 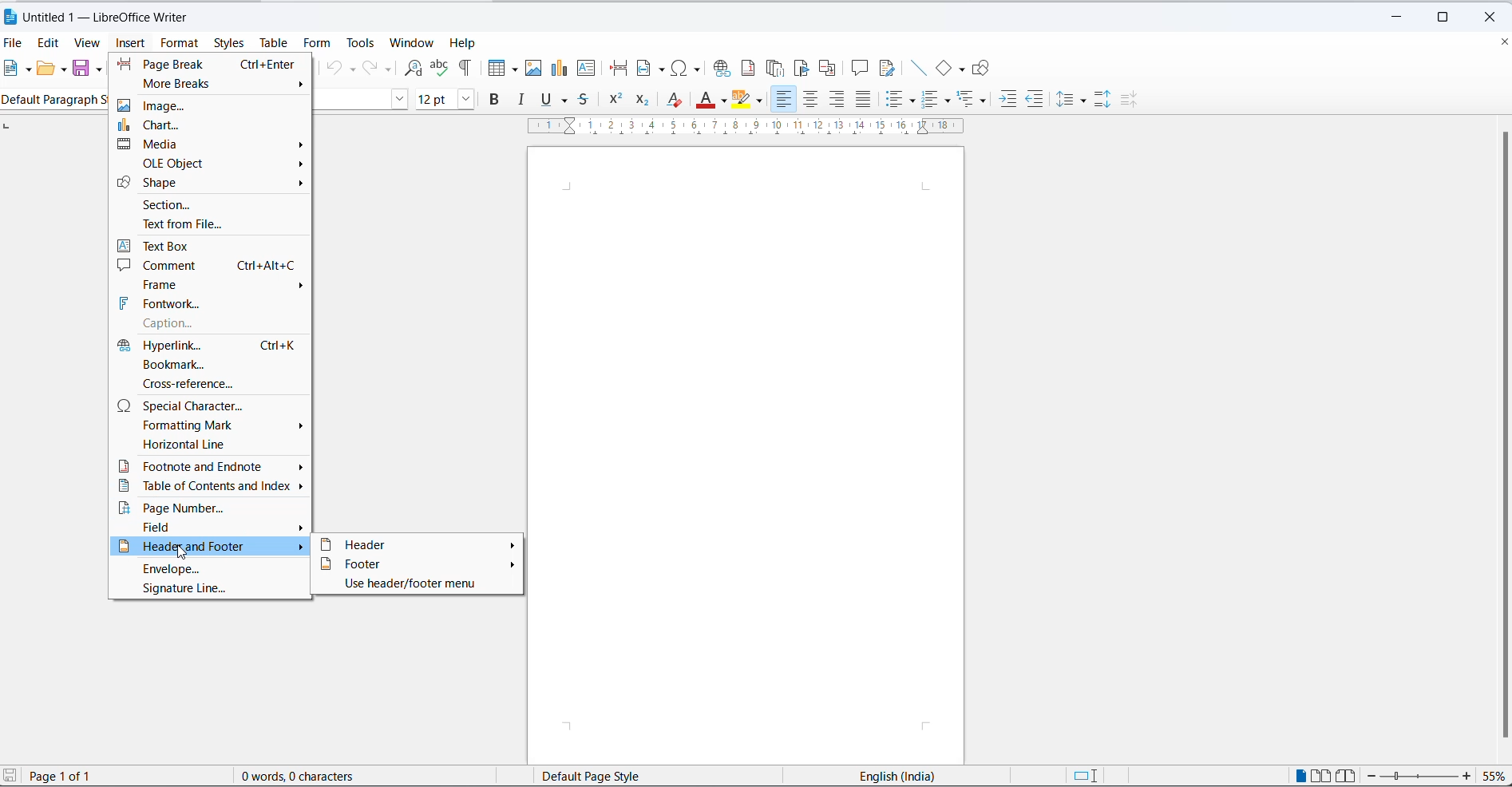 I want to click on file, so click(x=14, y=44).